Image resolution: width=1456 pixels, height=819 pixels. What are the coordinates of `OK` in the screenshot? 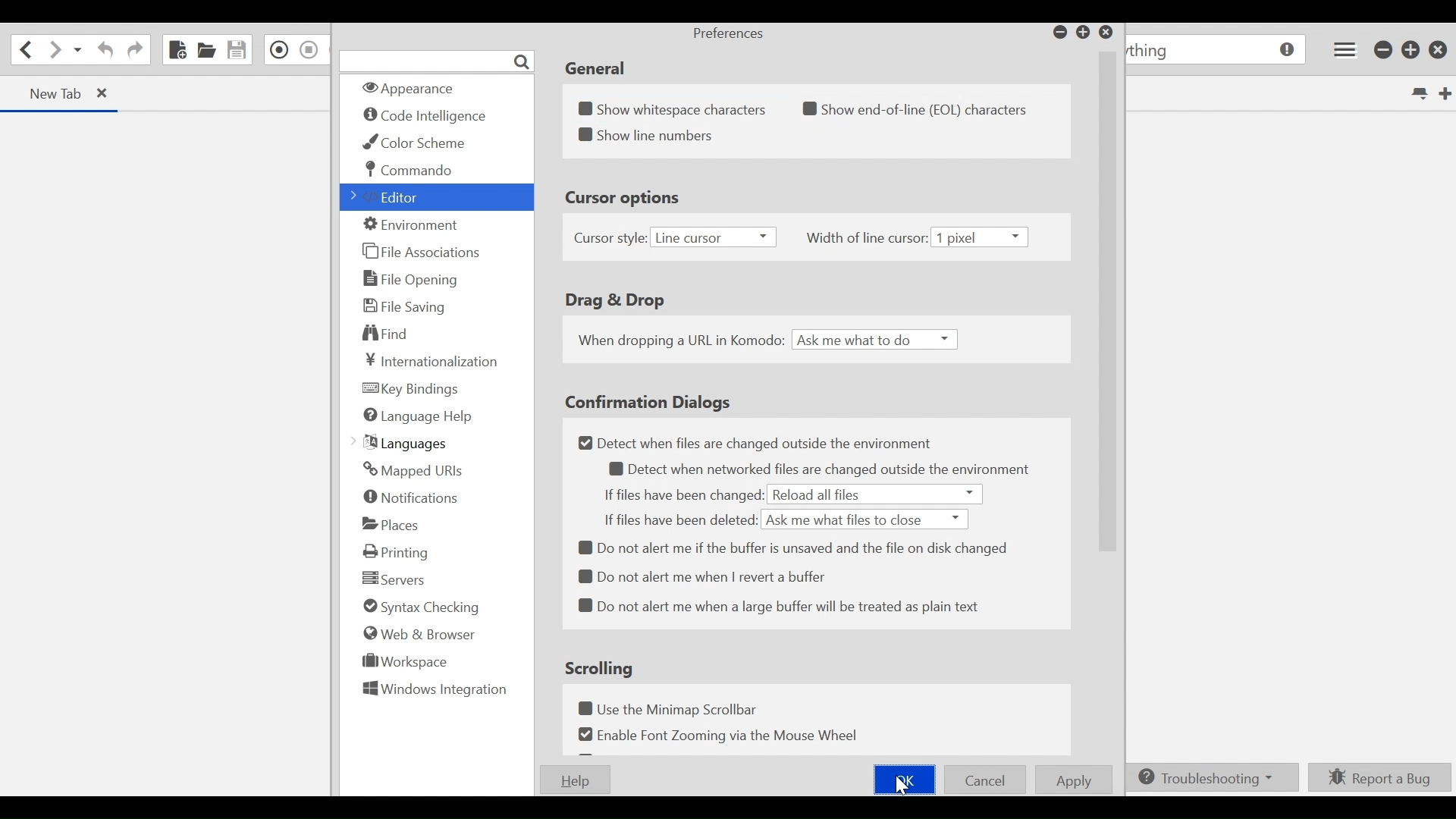 It's located at (902, 780).